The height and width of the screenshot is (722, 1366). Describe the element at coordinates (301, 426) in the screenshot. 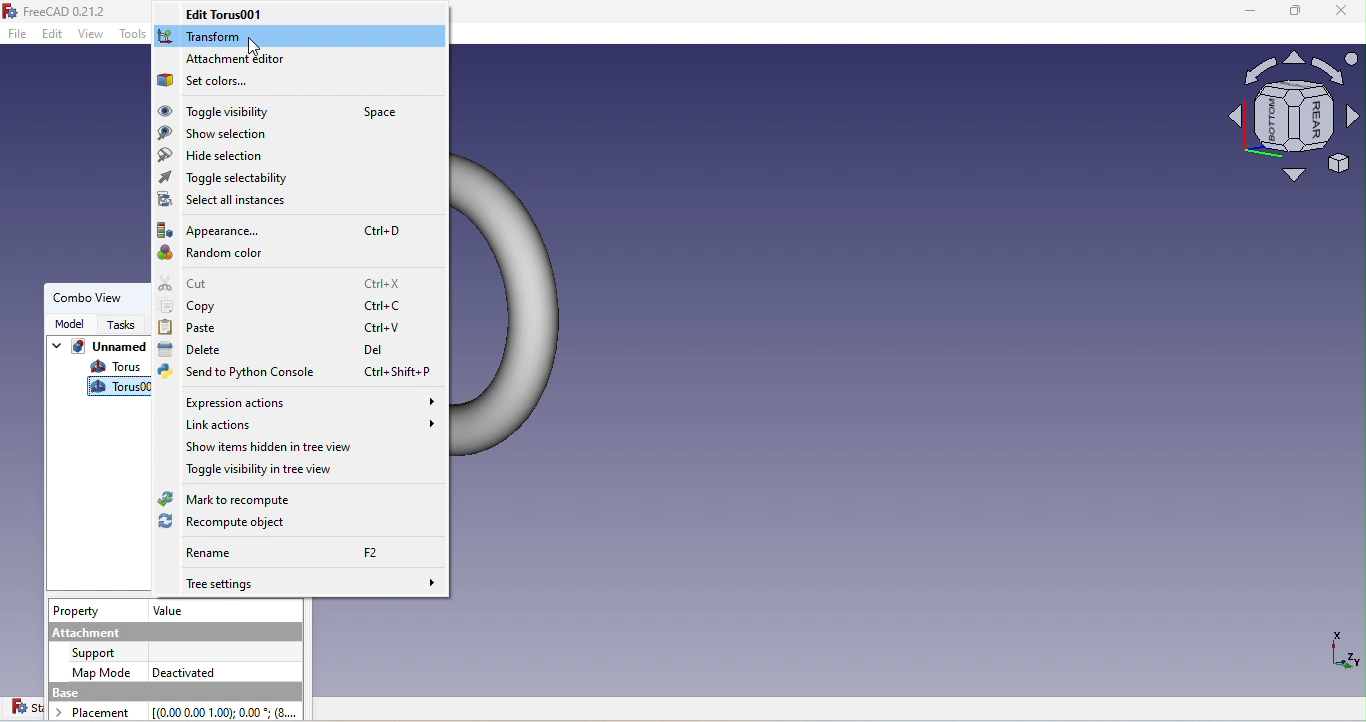

I see `Link actions` at that location.